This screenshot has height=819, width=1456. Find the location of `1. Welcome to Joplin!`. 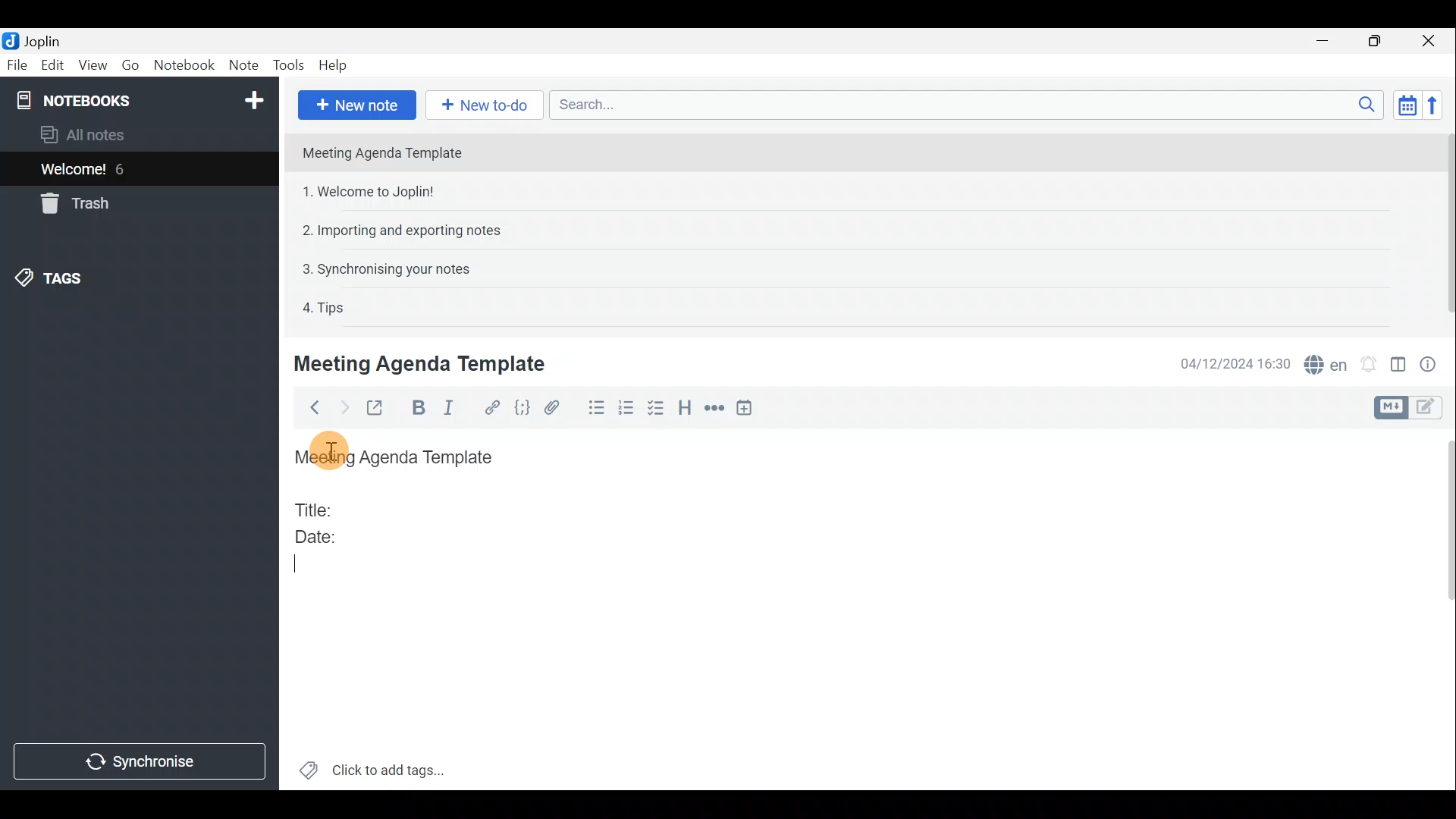

1. Welcome to Joplin! is located at coordinates (373, 191).